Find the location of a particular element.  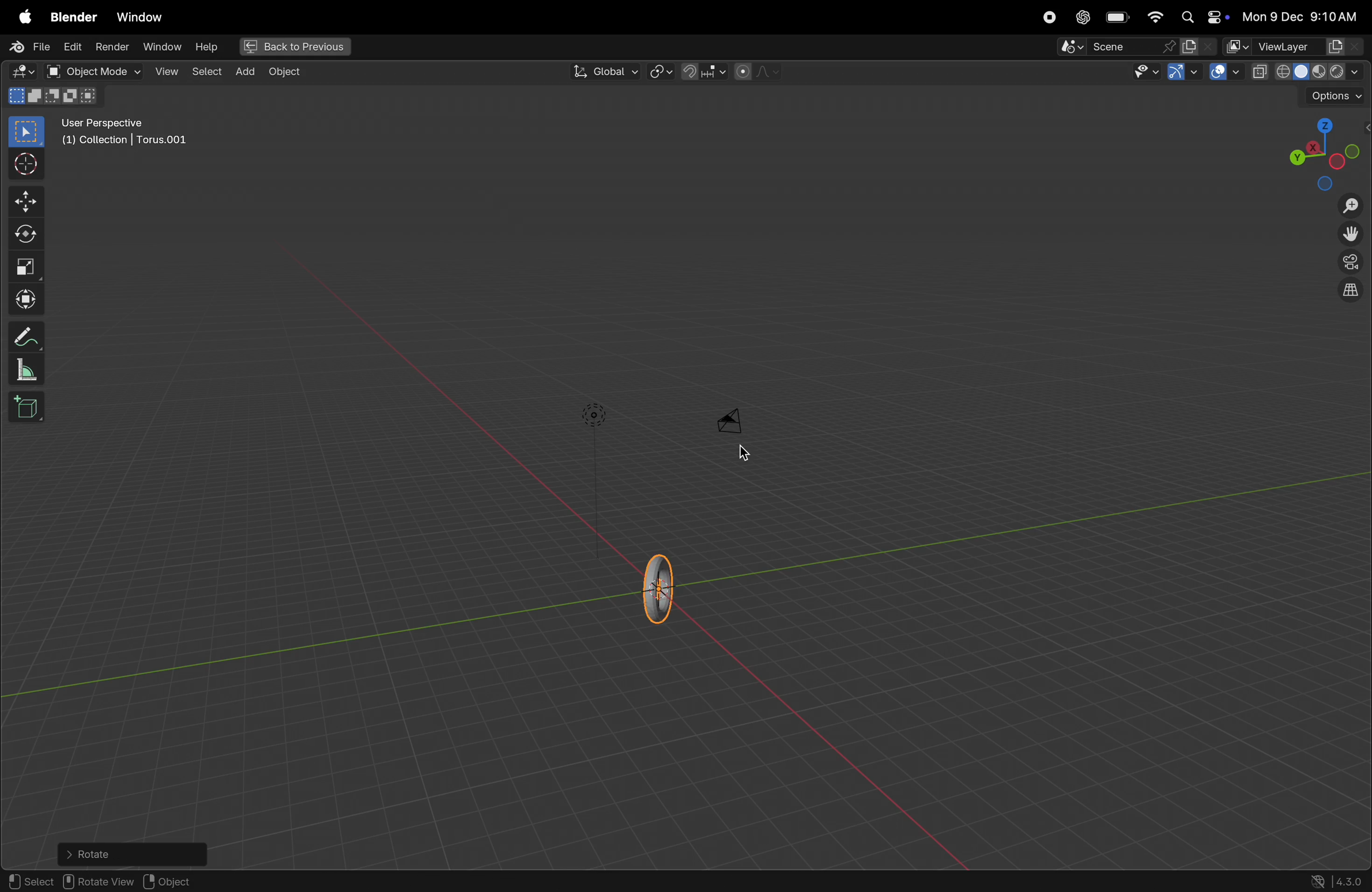

curosor is located at coordinates (29, 163).